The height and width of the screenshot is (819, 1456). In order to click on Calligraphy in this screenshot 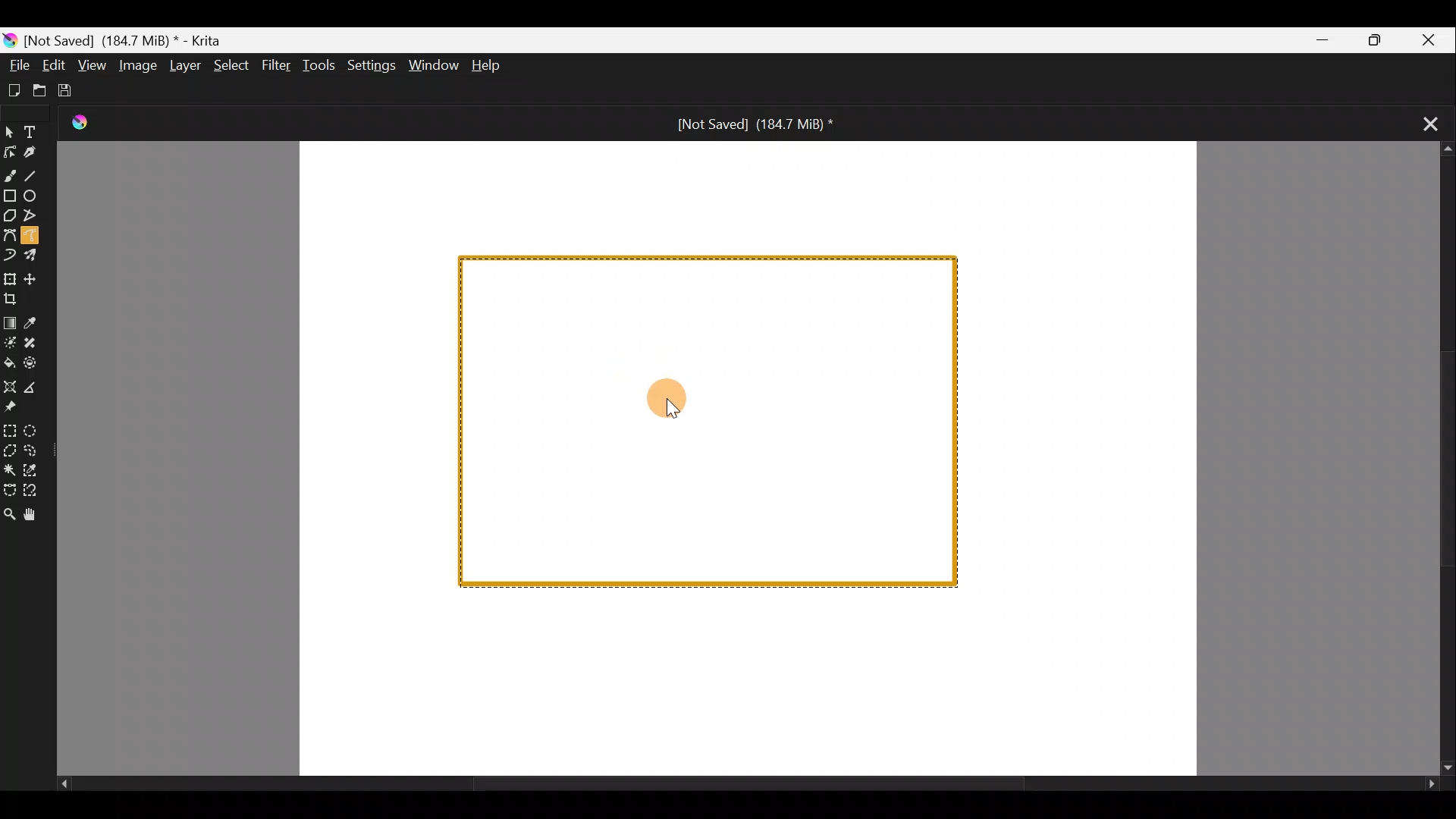, I will do `click(31, 152)`.